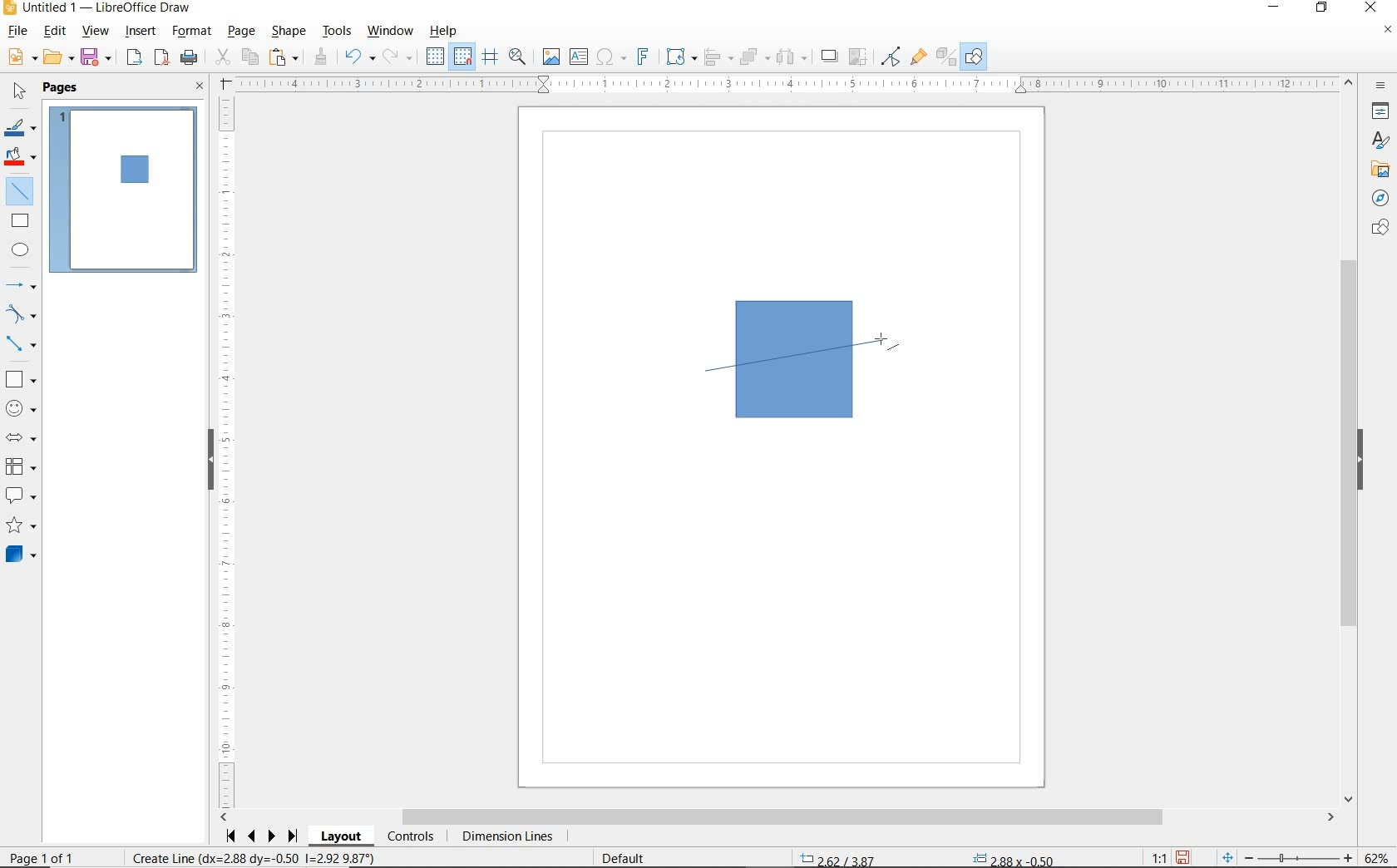 Image resolution: width=1397 pixels, height=868 pixels. Describe the element at coordinates (163, 59) in the screenshot. I see `EXPORT AS PDF` at that location.